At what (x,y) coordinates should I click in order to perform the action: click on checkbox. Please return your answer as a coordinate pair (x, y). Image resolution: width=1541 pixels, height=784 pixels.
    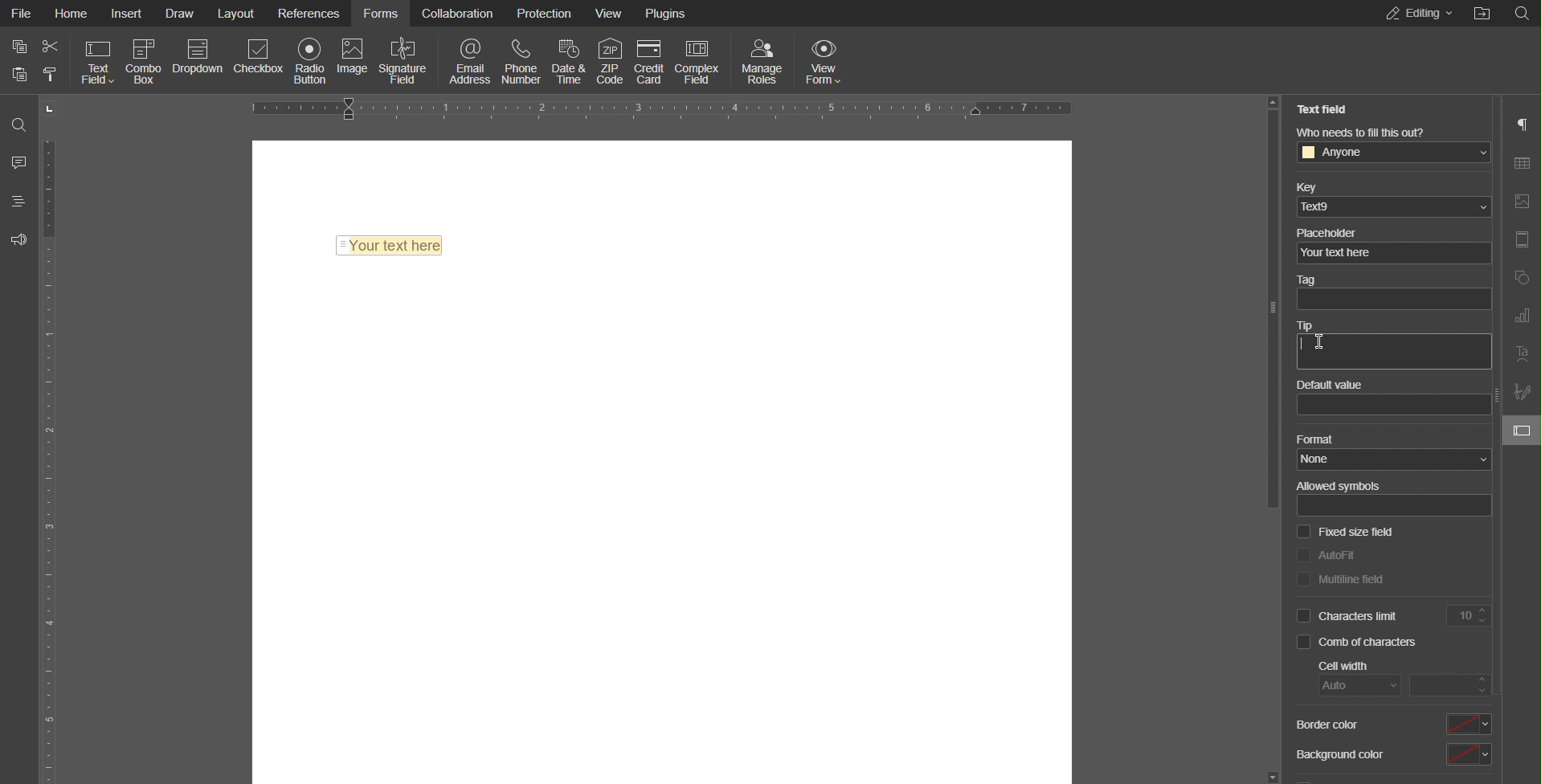
    Looking at the image, I should click on (1302, 553).